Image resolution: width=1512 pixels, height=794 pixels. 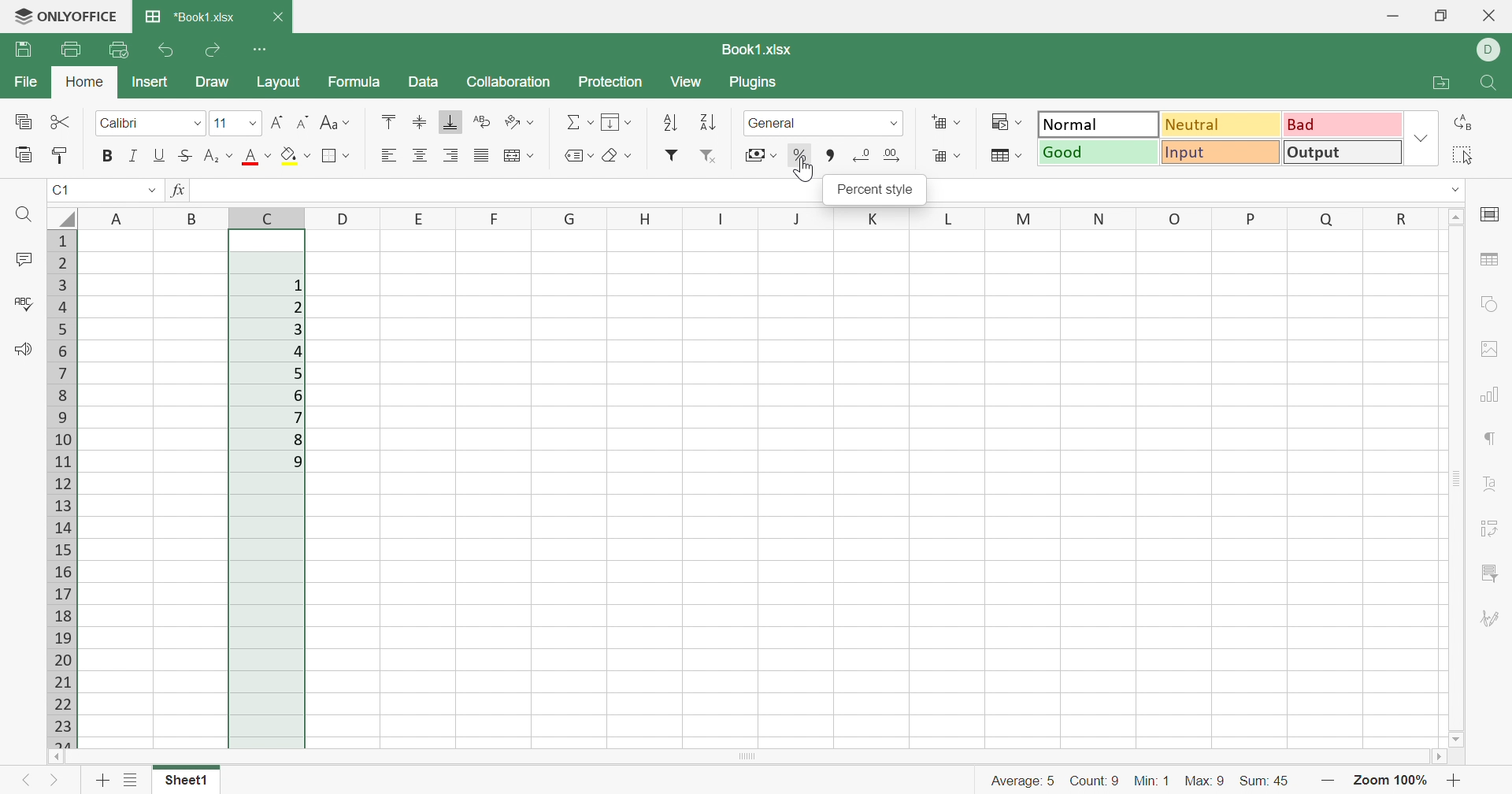 I want to click on Paste, so click(x=24, y=157).